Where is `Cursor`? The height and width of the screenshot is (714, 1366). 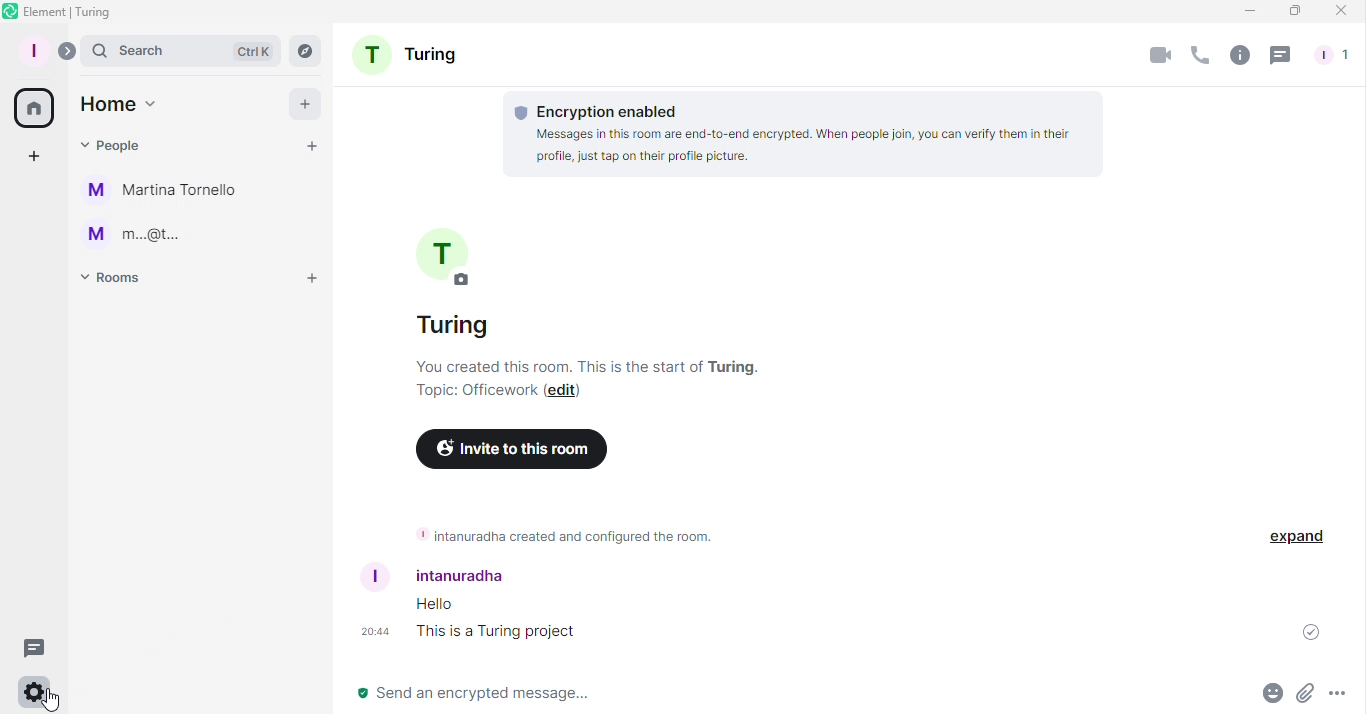 Cursor is located at coordinates (54, 701).